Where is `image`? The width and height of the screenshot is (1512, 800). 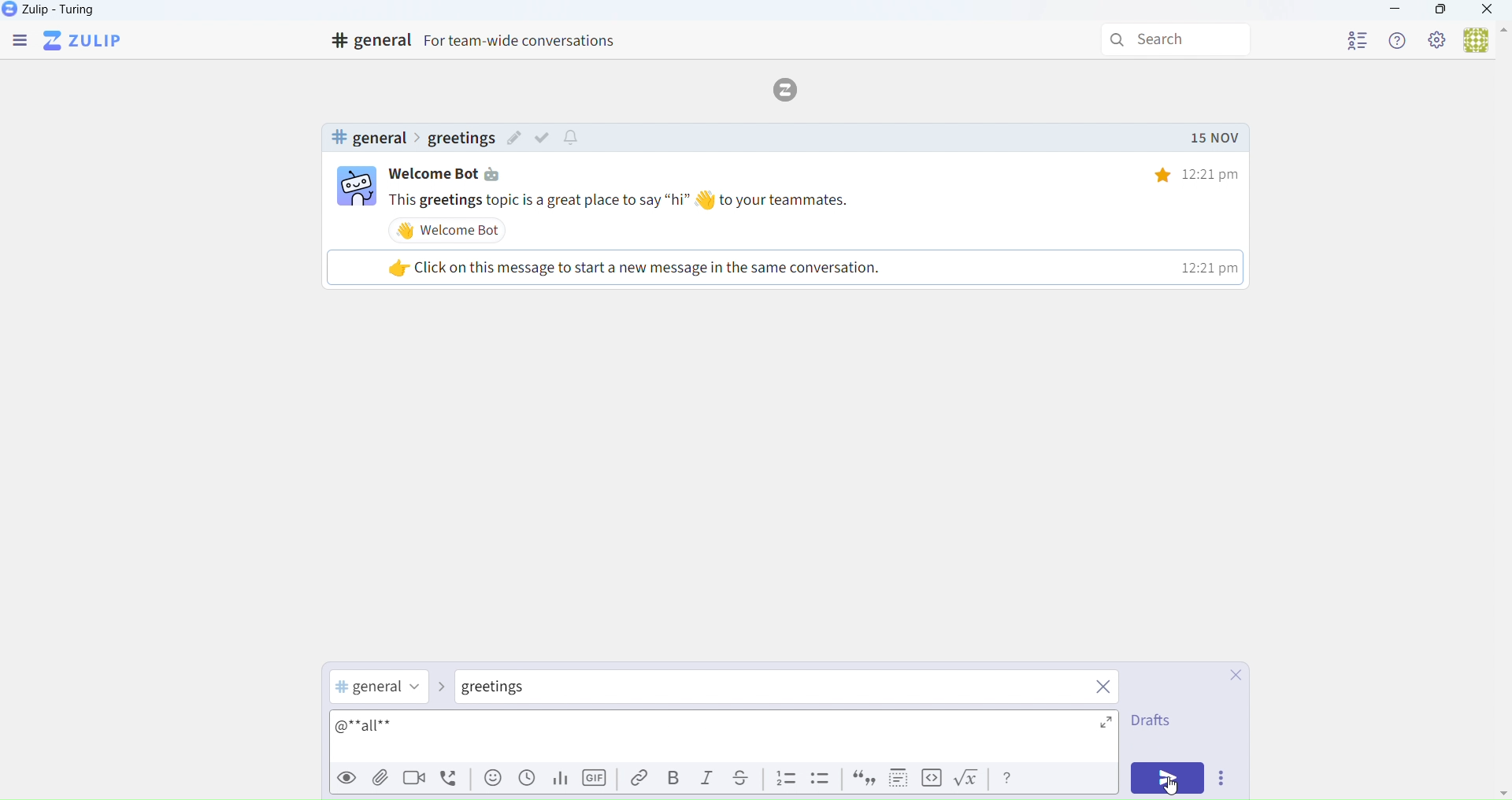
image is located at coordinates (357, 188).